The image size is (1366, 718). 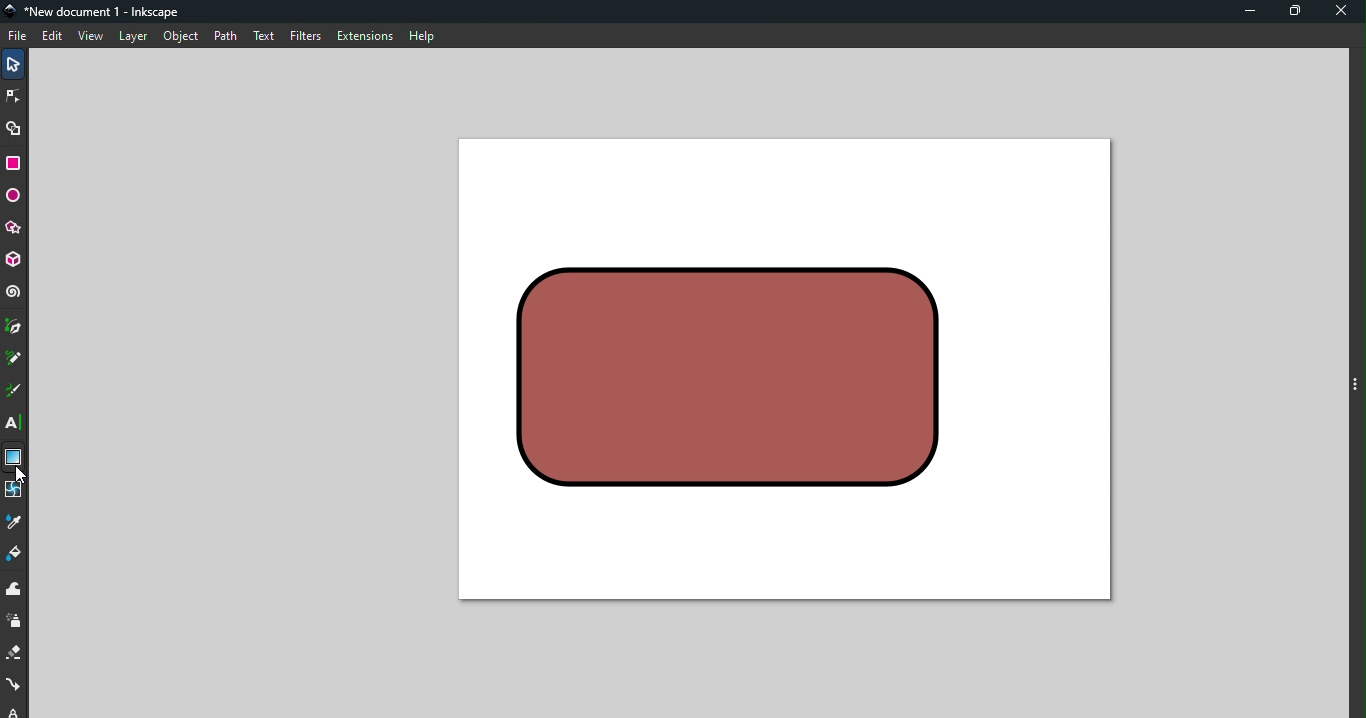 I want to click on Calligraphy tool, so click(x=13, y=393).